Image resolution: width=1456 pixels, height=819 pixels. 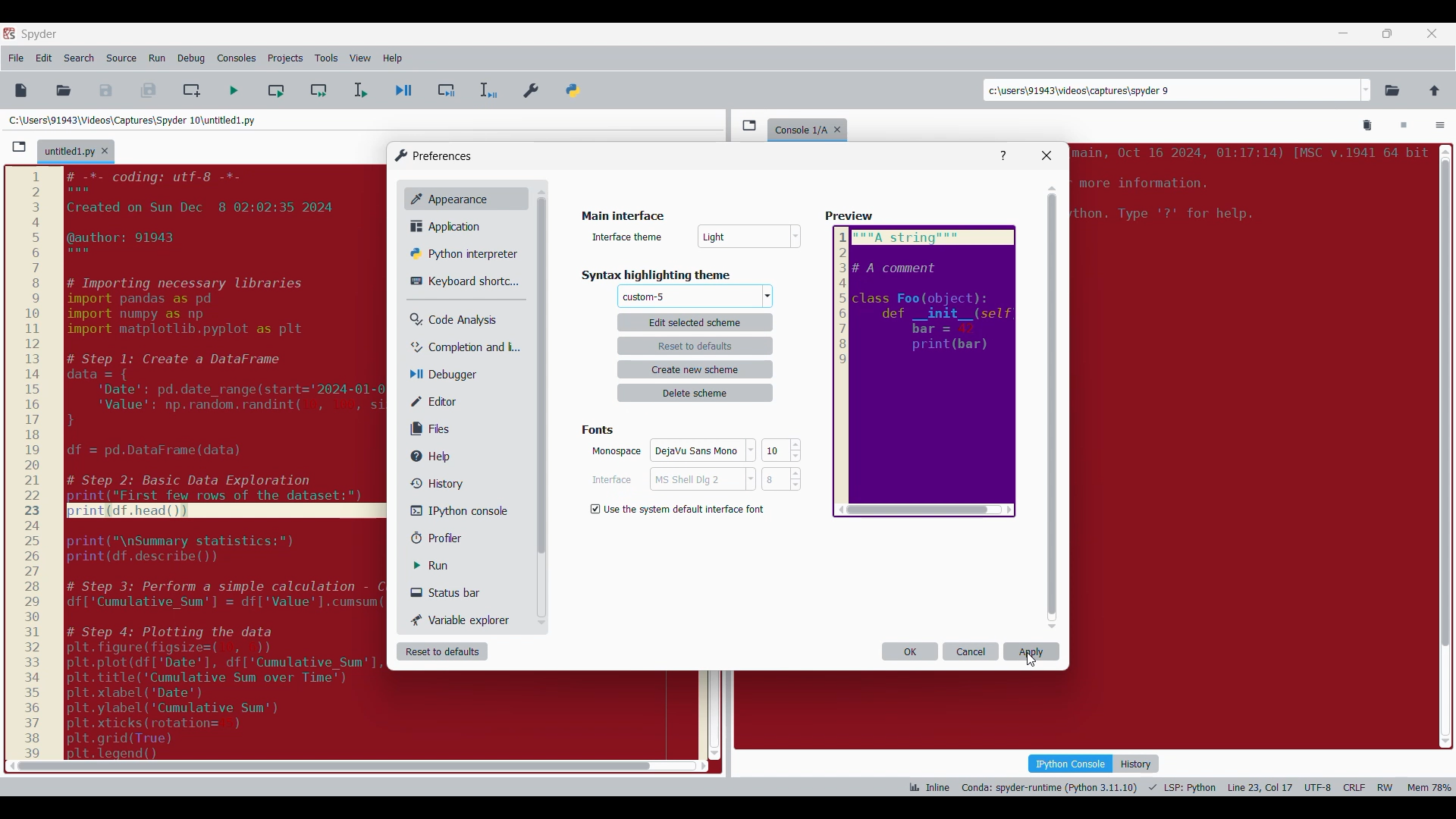 I want to click on History, so click(x=434, y=483).